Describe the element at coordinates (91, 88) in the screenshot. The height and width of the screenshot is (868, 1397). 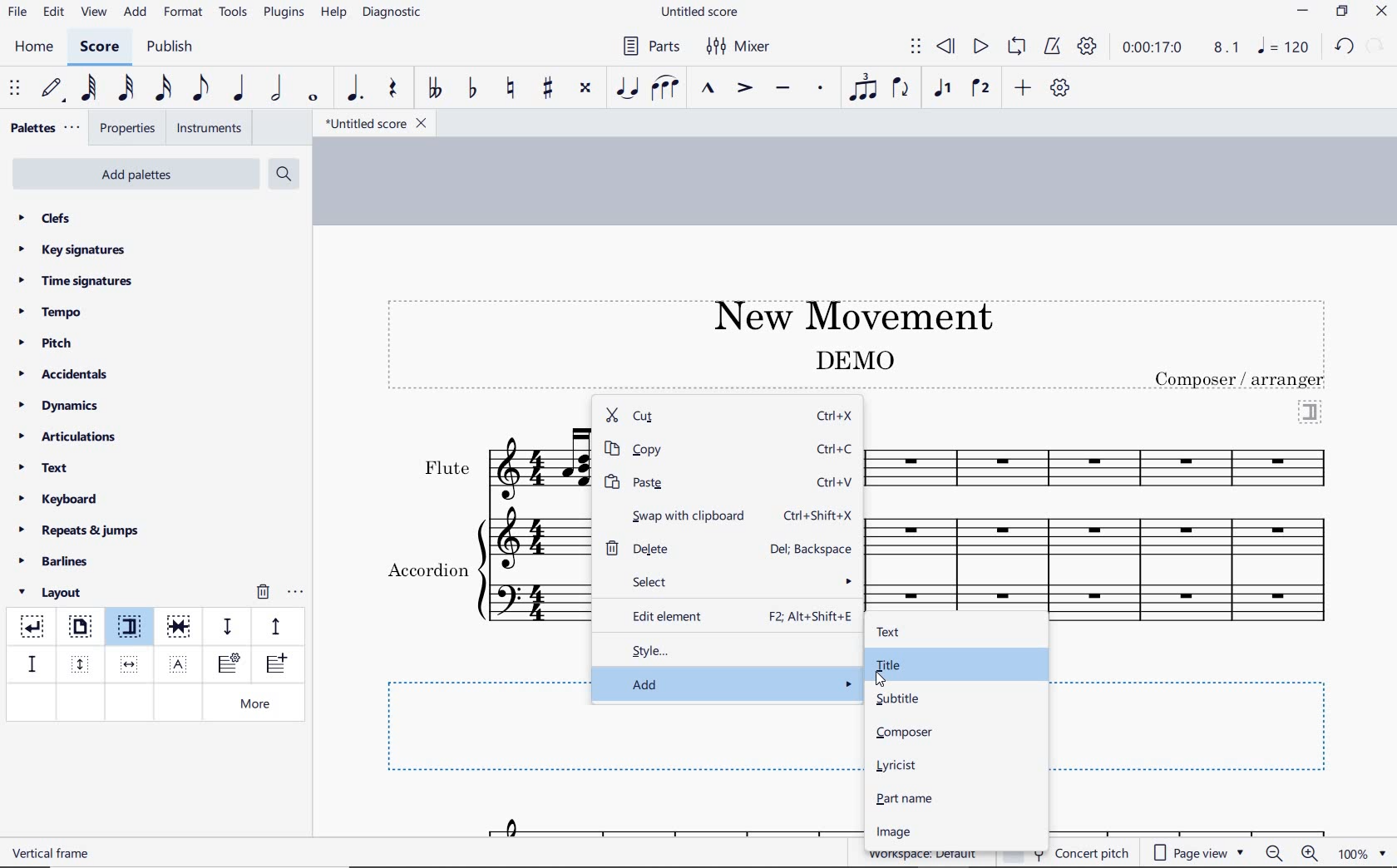
I see `64th note` at that location.